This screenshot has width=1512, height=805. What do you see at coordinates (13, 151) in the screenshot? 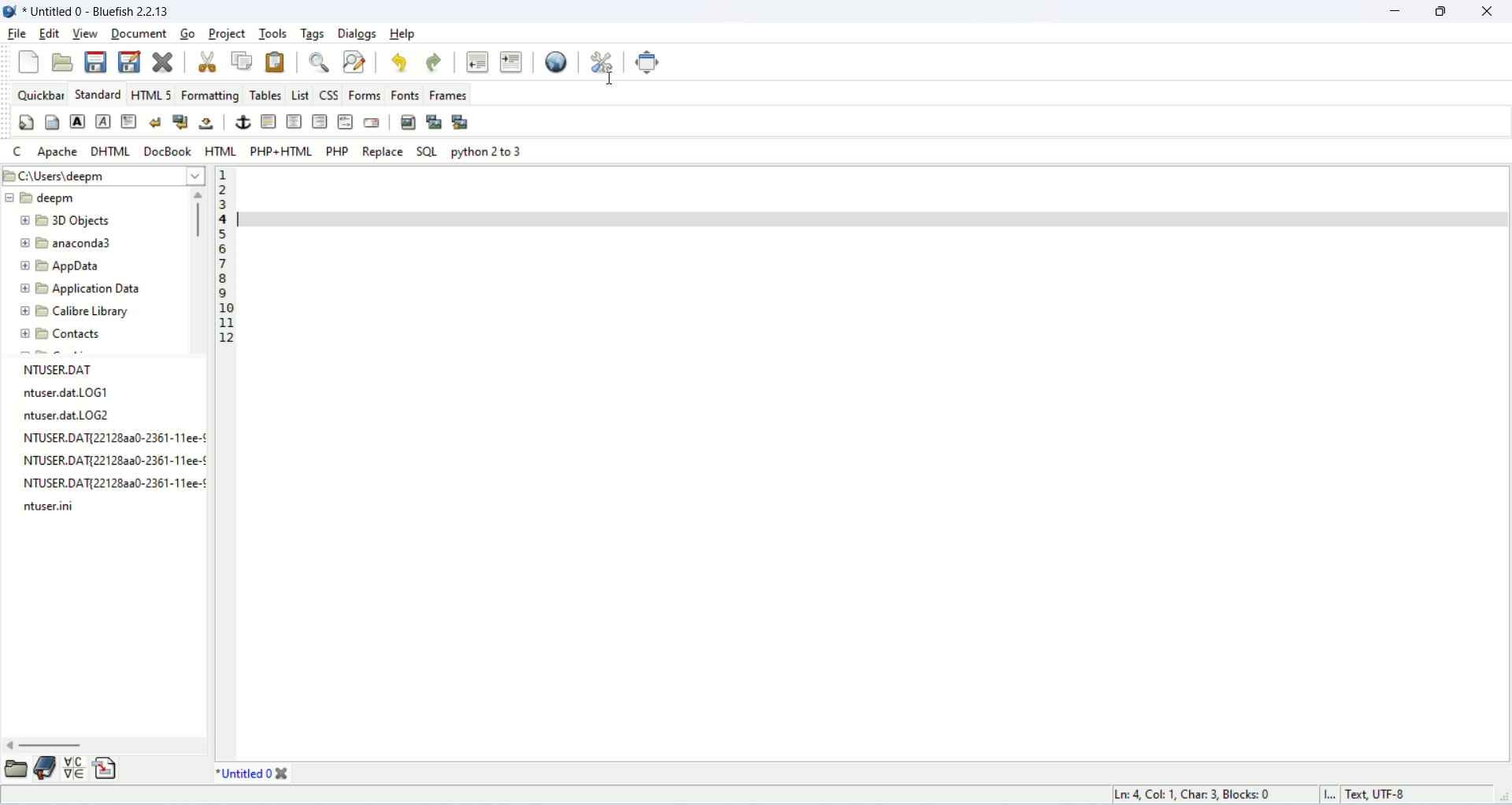
I see `C` at bounding box center [13, 151].